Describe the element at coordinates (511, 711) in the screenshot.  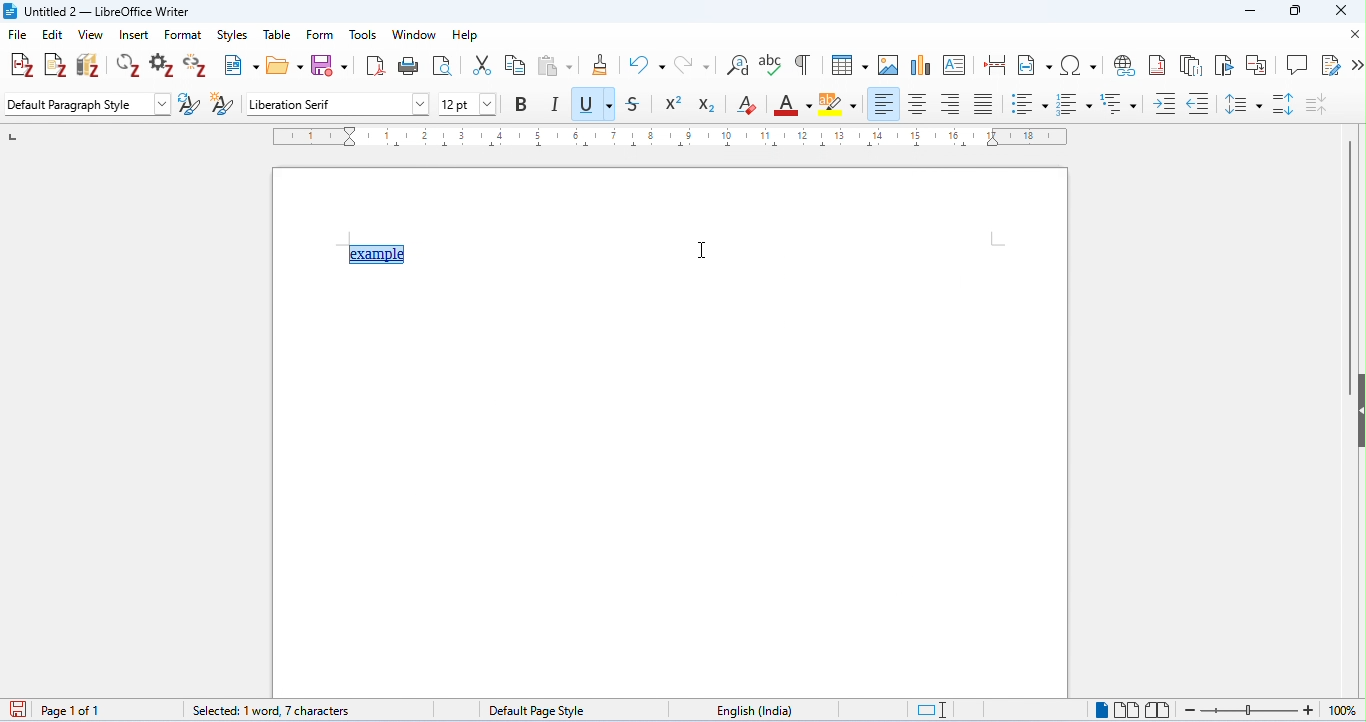
I see `default page style` at that location.